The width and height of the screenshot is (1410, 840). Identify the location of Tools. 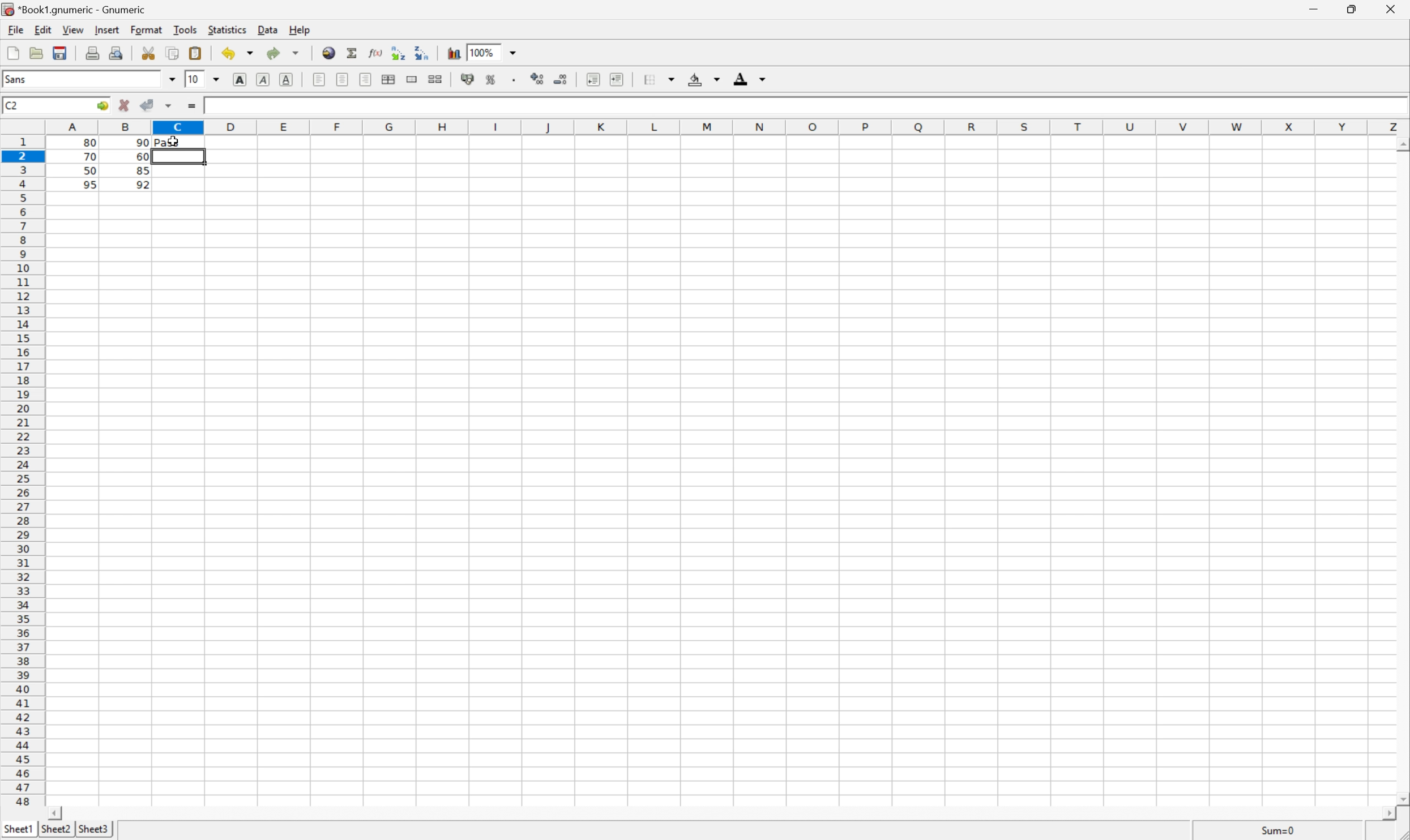
(184, 29).